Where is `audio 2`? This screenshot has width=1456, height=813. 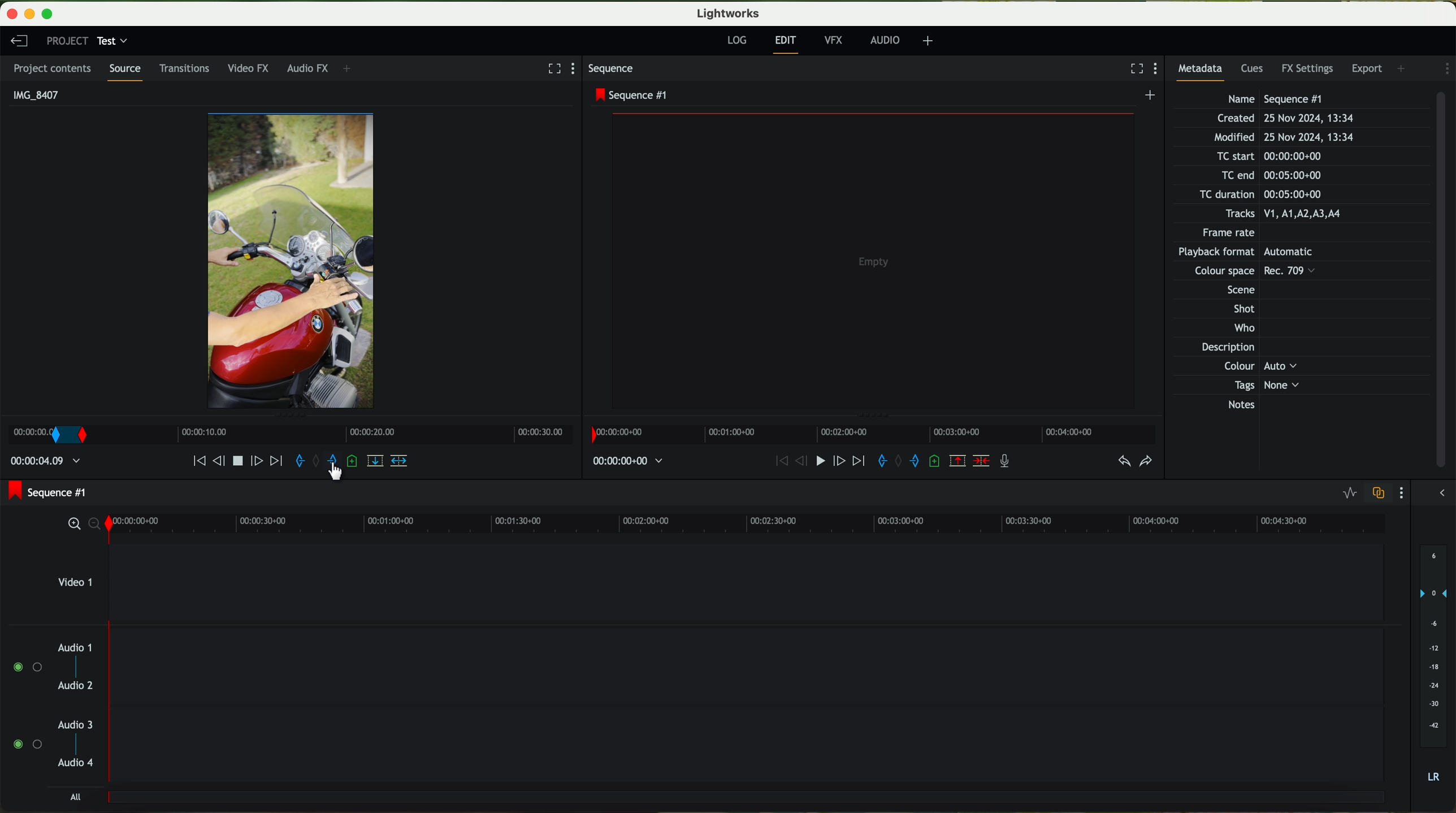 audio 2 is located at coordinates (76, 687).